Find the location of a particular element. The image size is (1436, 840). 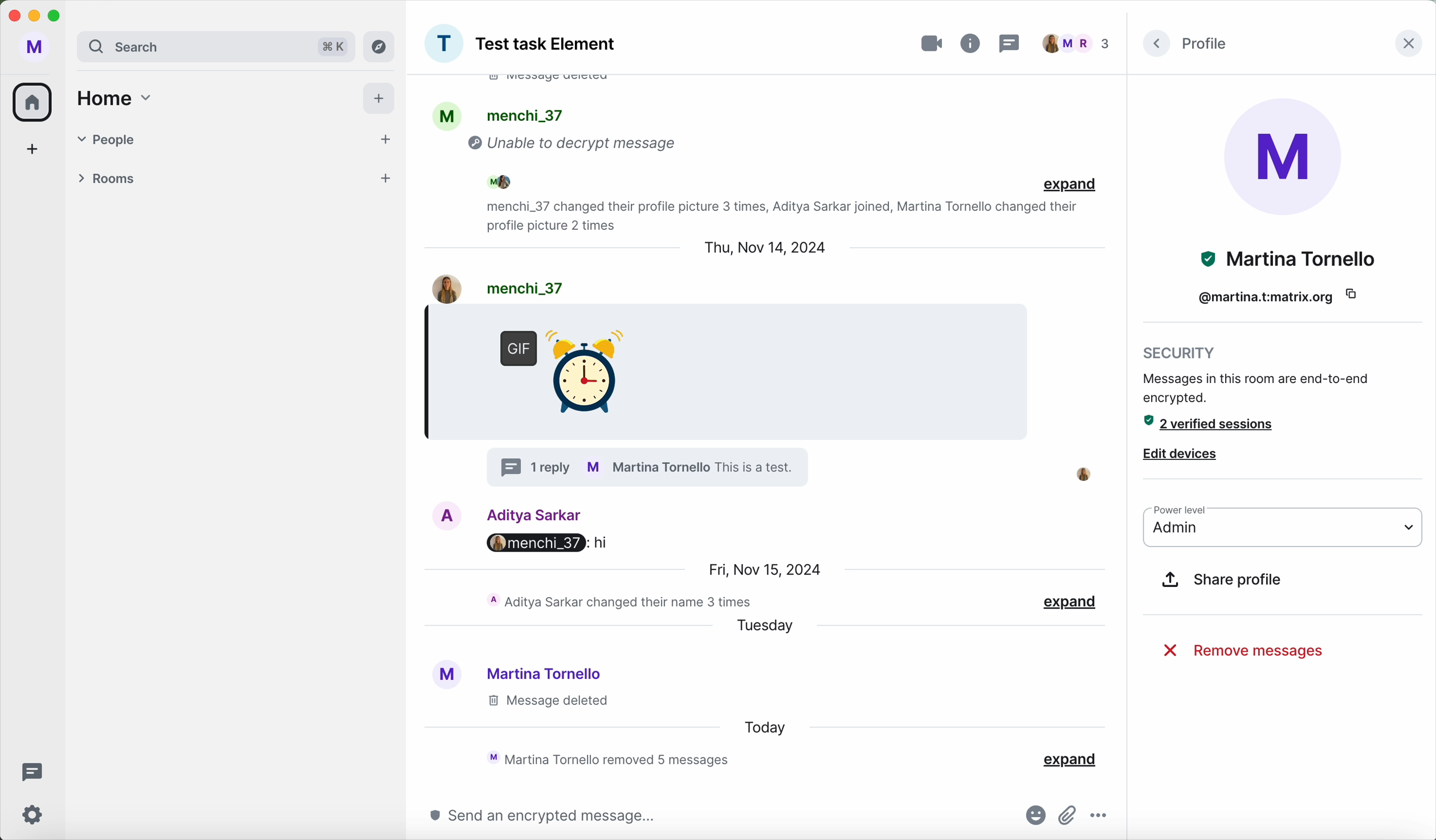

minimize is located at coordinates (34, 17).